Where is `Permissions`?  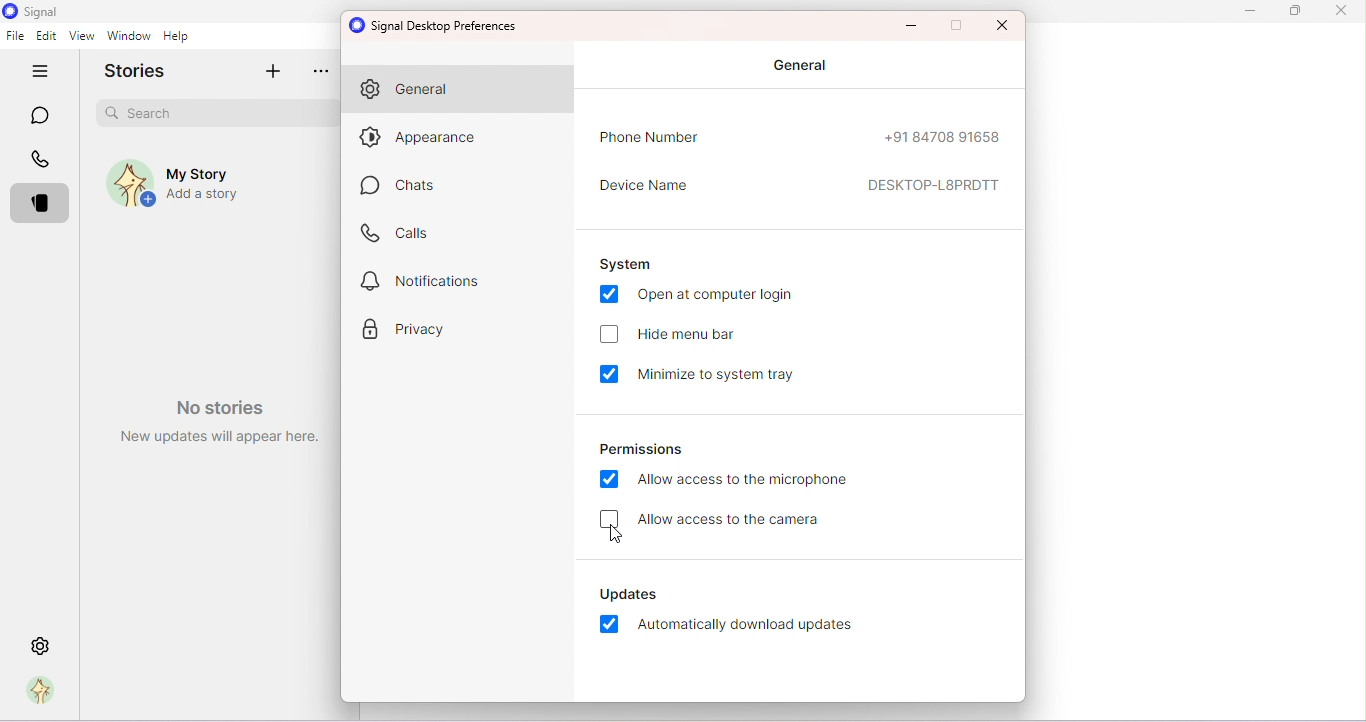 Permissions is located at coordinates (639, 446).